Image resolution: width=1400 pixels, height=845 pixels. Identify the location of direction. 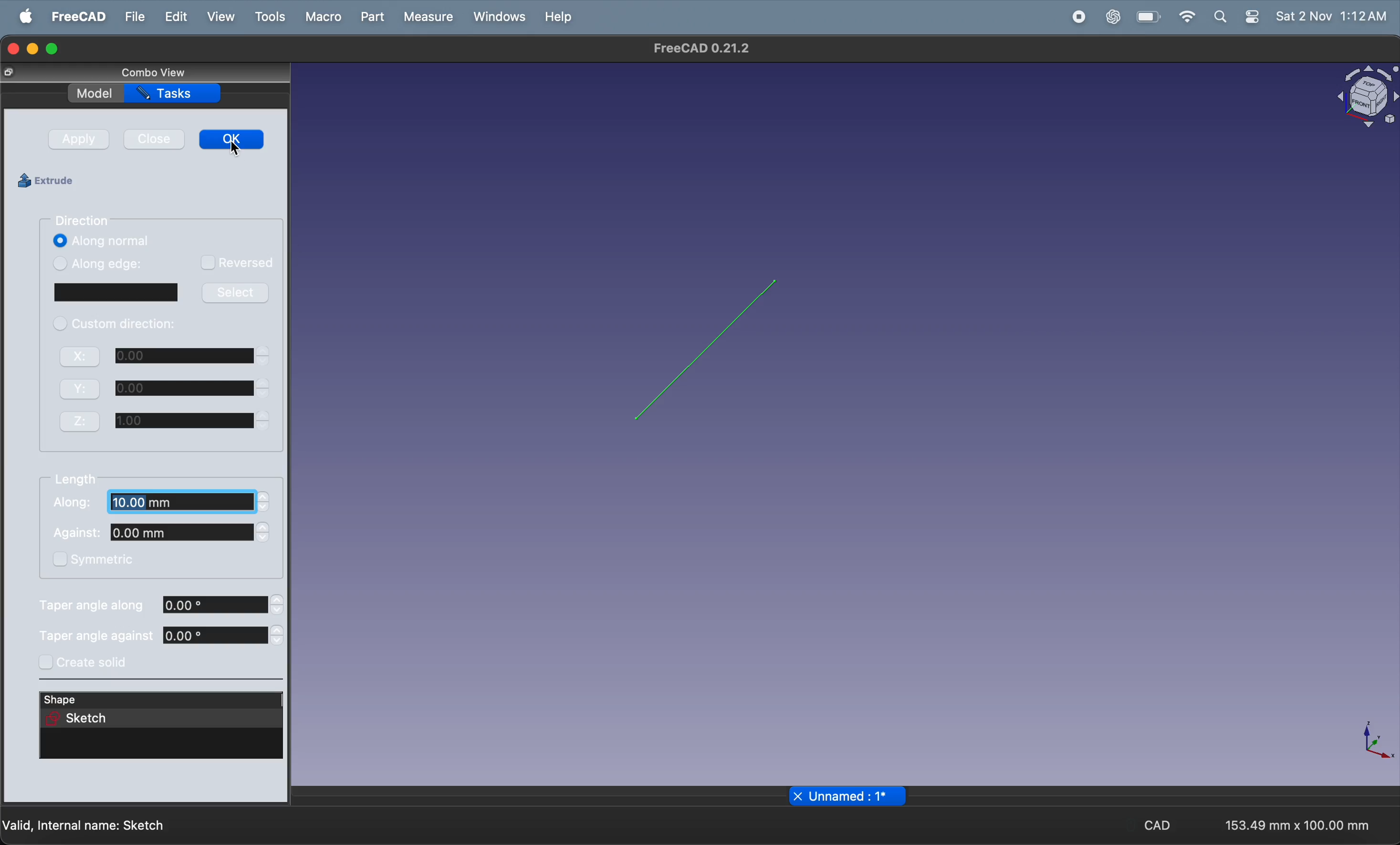
(84, 220).